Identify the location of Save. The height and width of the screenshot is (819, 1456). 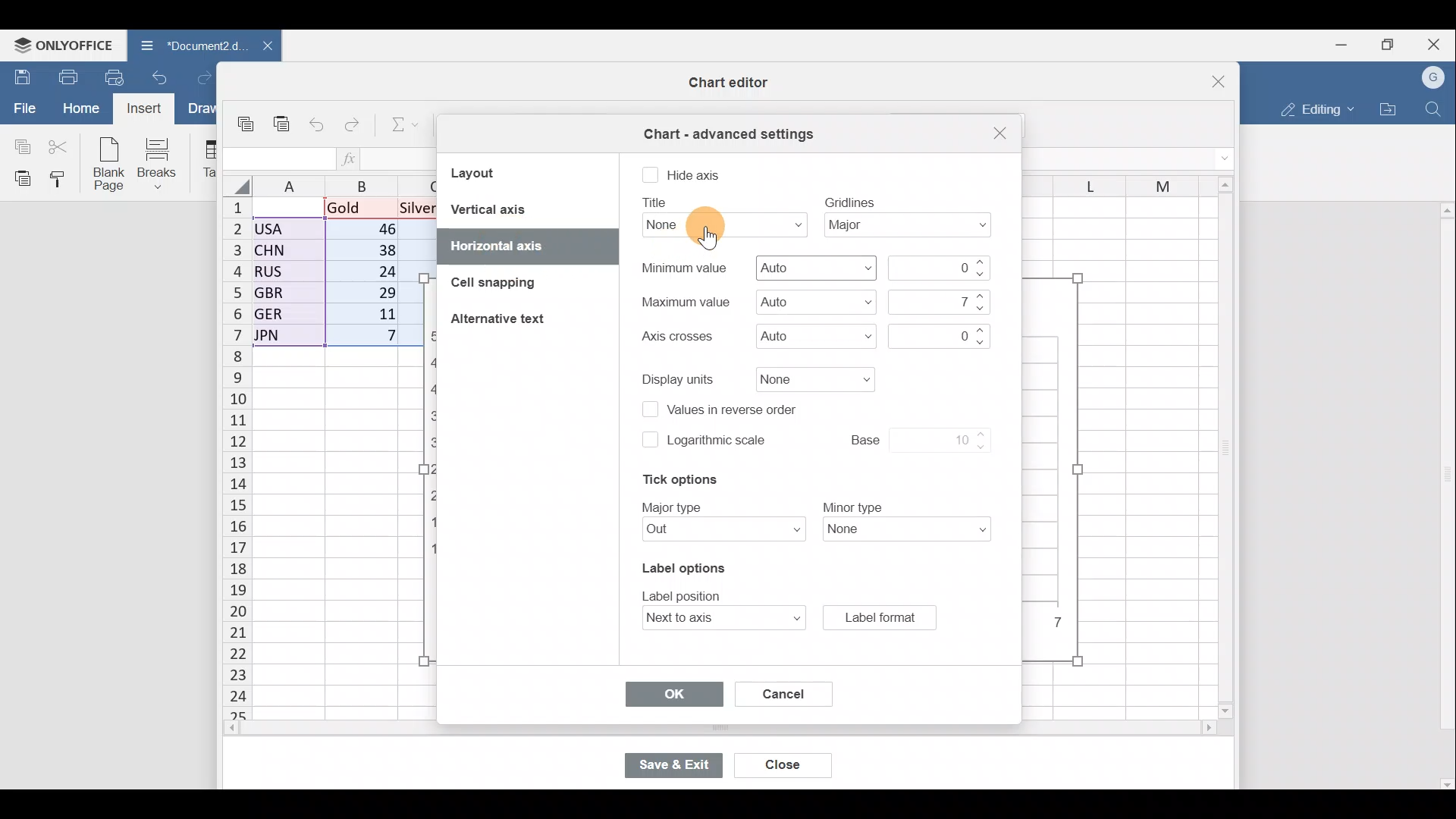
(19, 75).